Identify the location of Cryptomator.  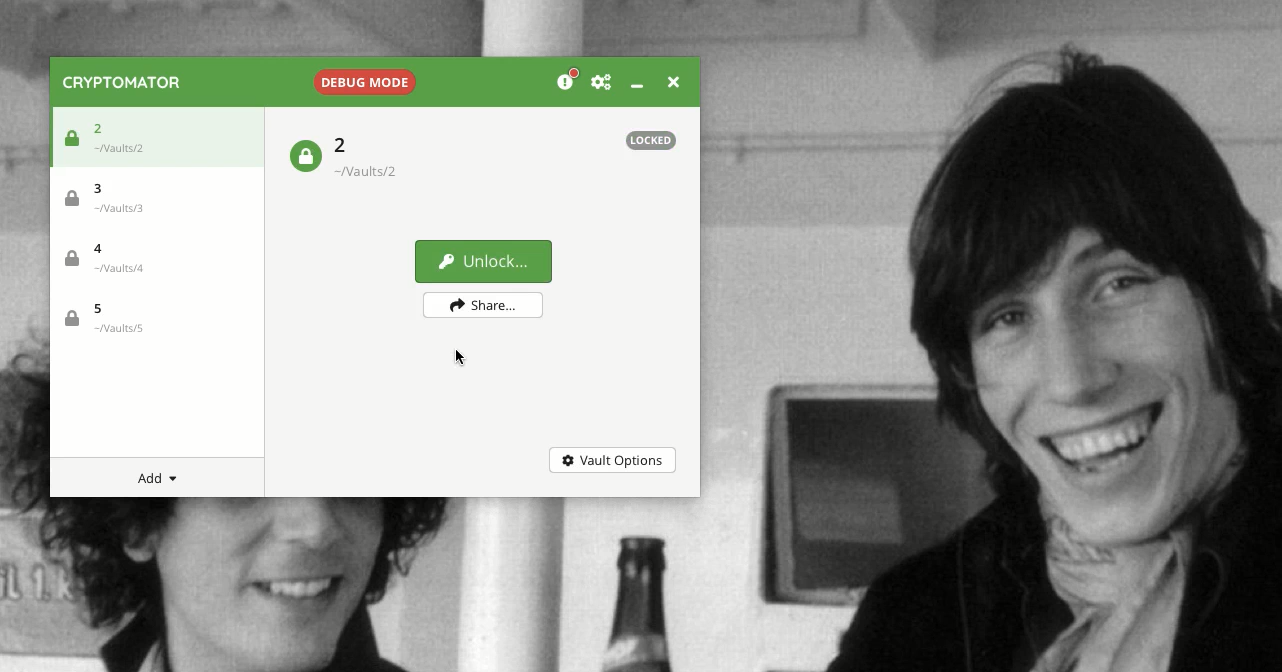
(123, 82).